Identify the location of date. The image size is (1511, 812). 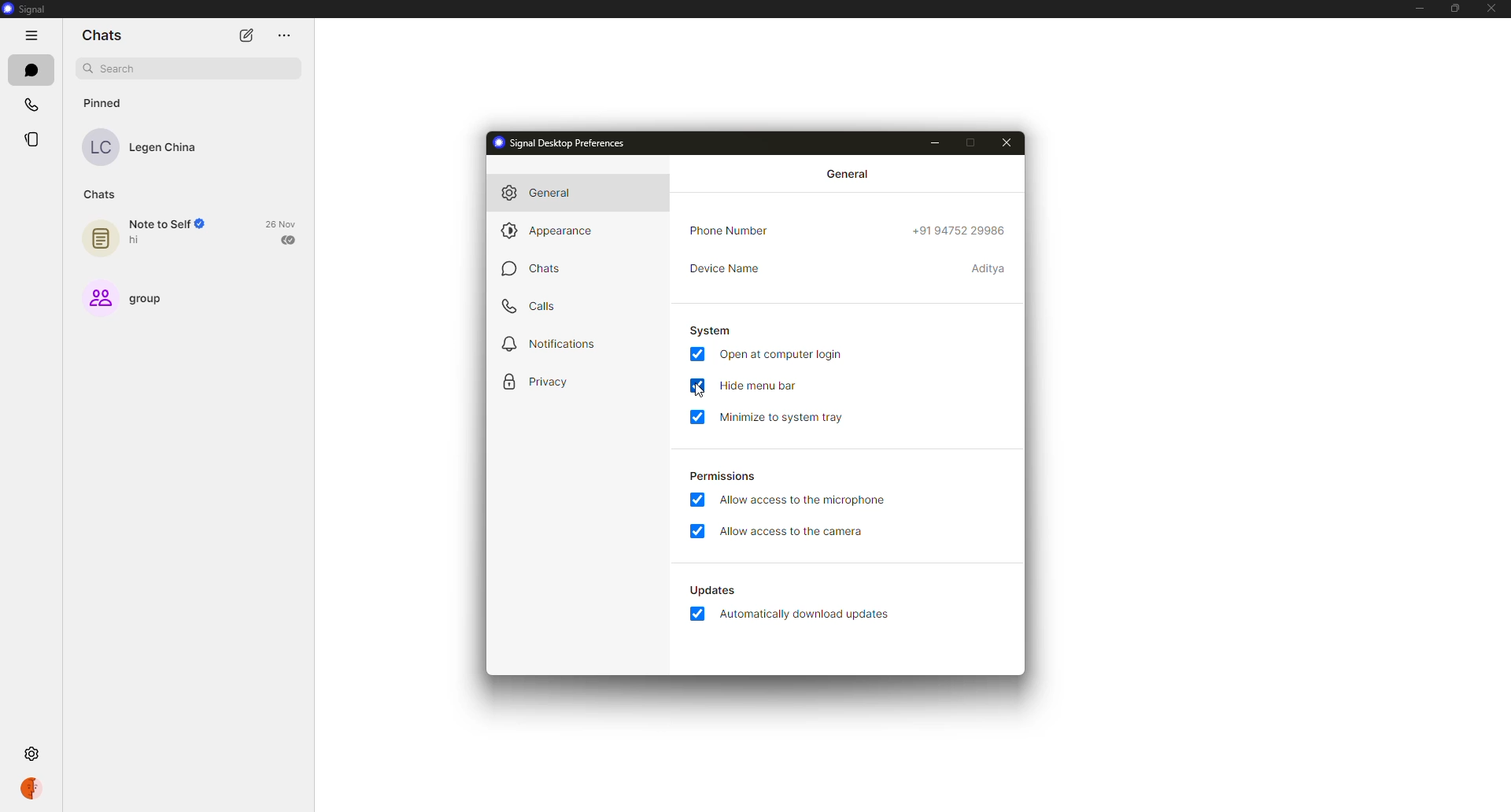
(281, 223).